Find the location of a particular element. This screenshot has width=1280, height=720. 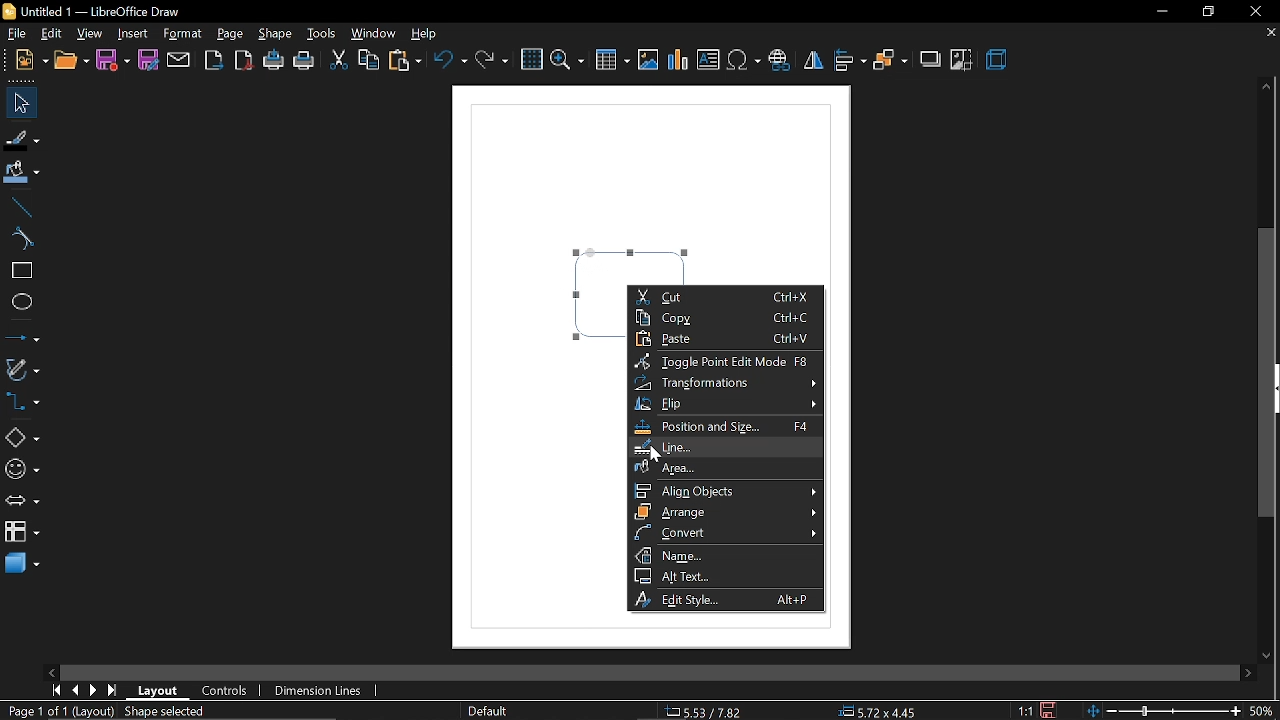

vertical scrollbar is located at coordinates (1270, 374).